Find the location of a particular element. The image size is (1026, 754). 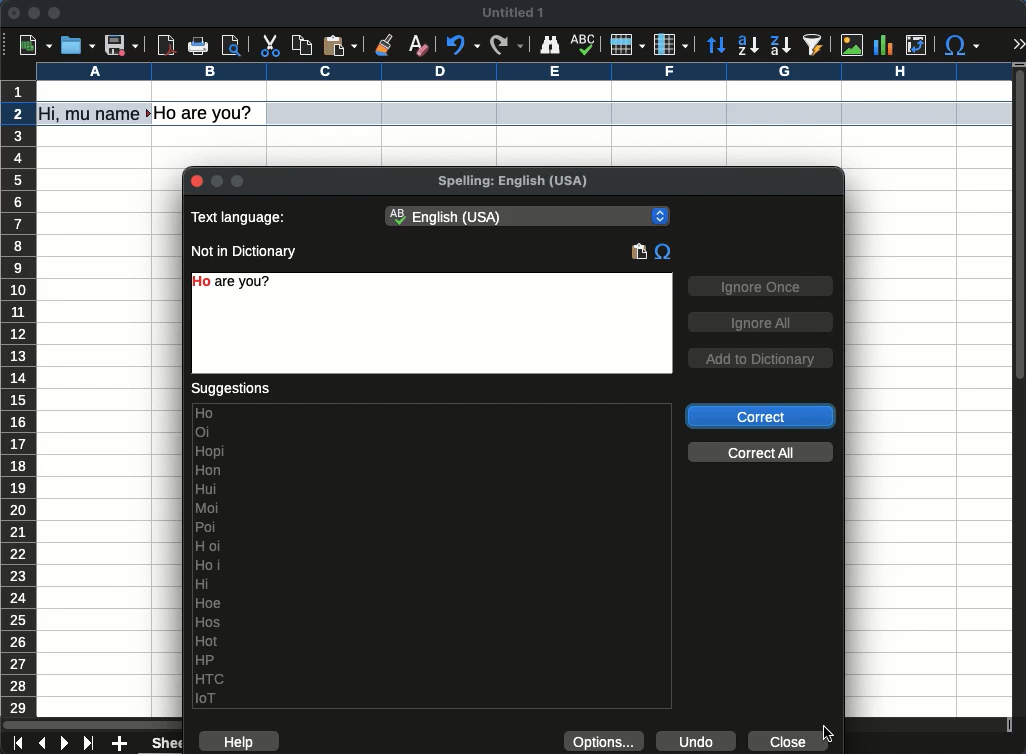

column is located at coordinates (523, 71).